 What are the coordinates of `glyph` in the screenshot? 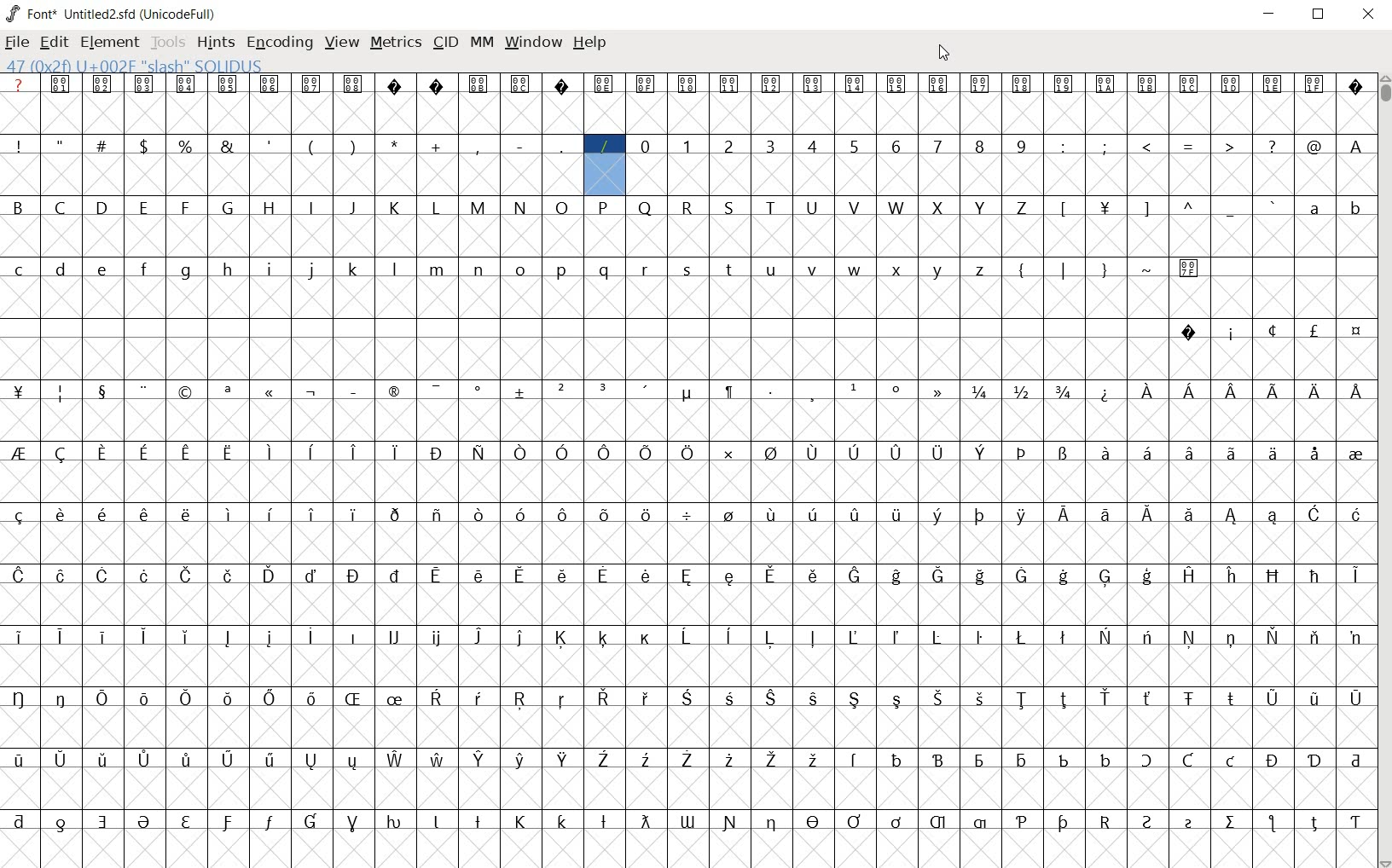 It's located at (1146, 636).